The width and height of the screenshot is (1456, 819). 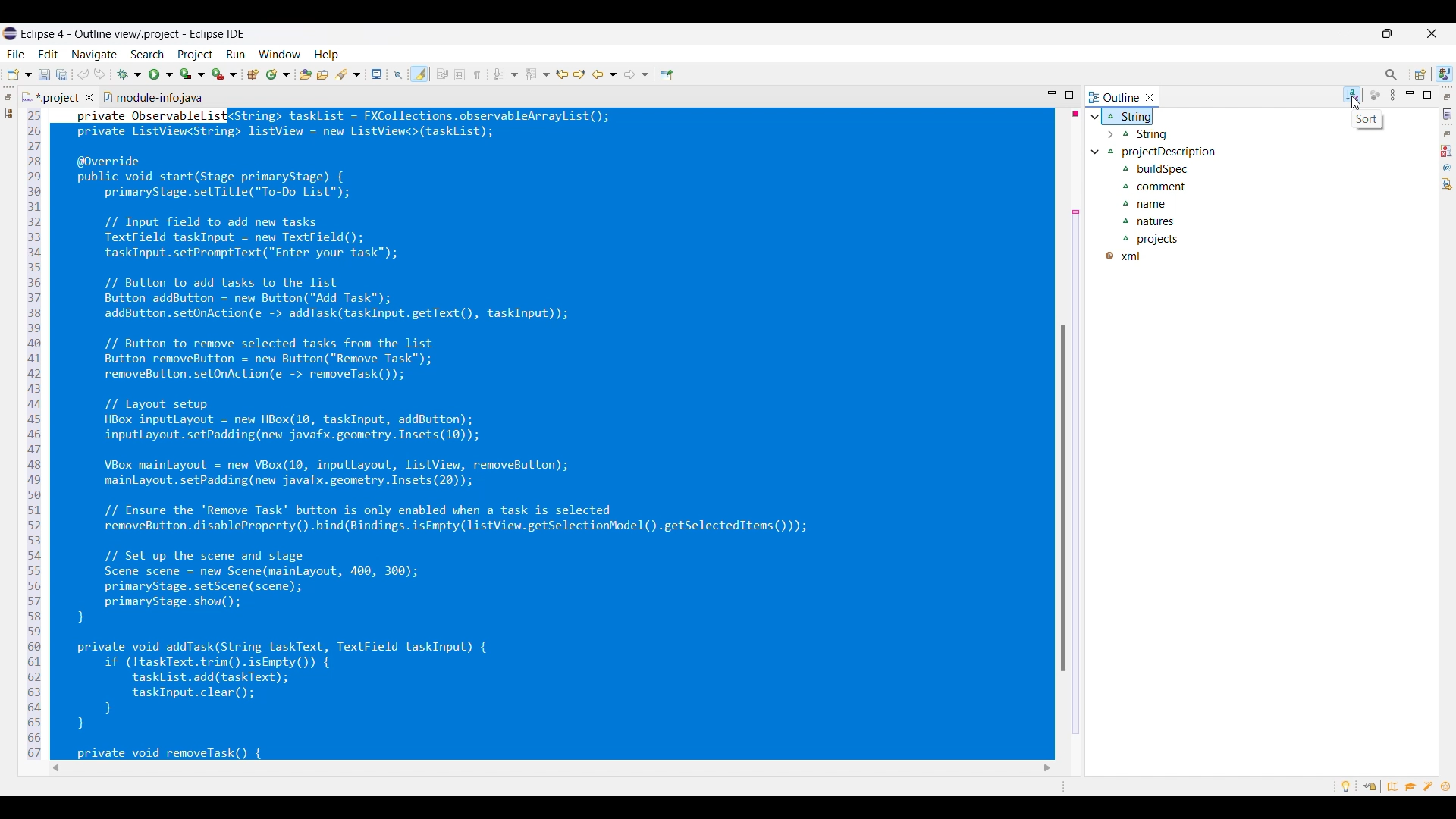 What do you see at coordinates (442, 74) in the screenshot?
I see `Toggle word wrap` at bounding box center [442, 74].